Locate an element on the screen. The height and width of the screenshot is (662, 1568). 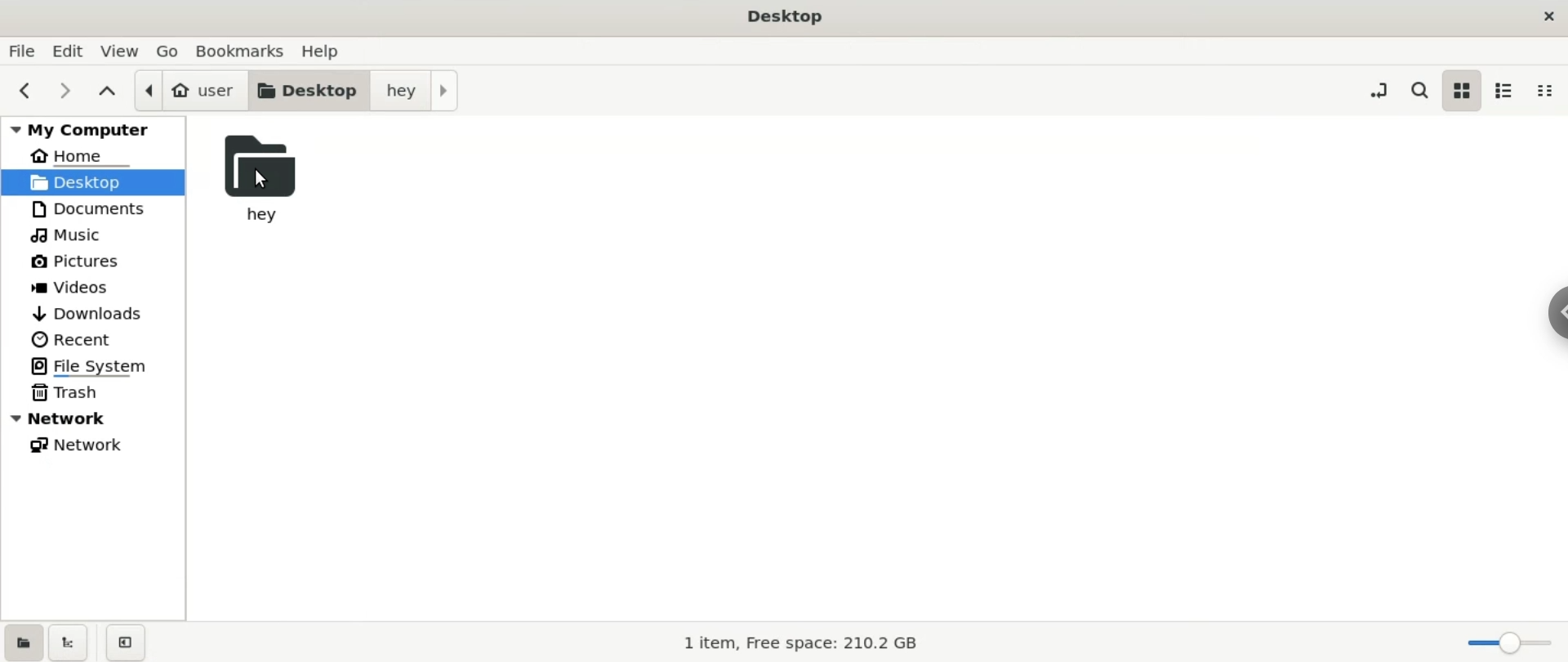
1 item, Free spcae:210.2 GB is located at coordinates (792, 643).